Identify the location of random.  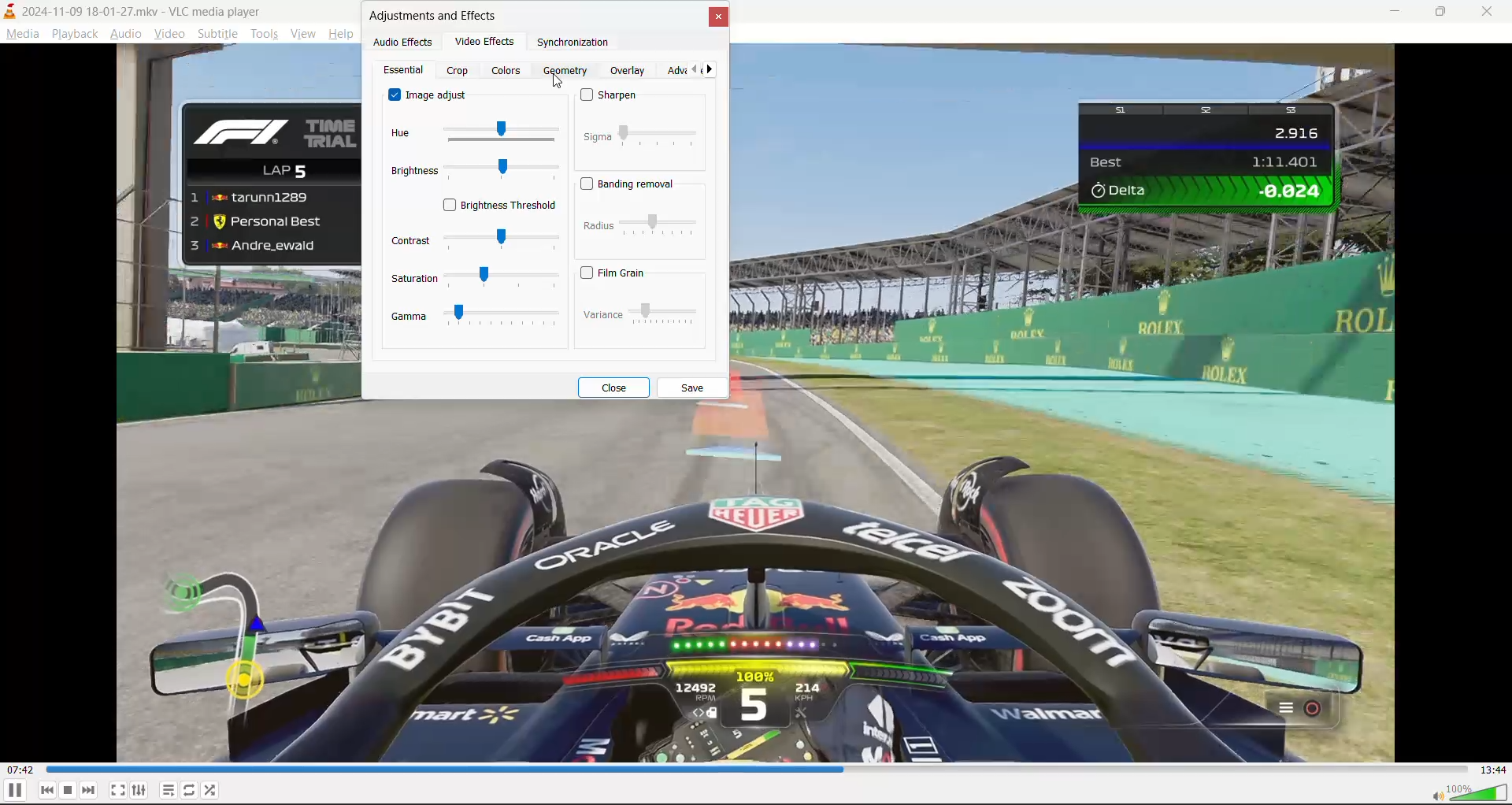
(212, 788).